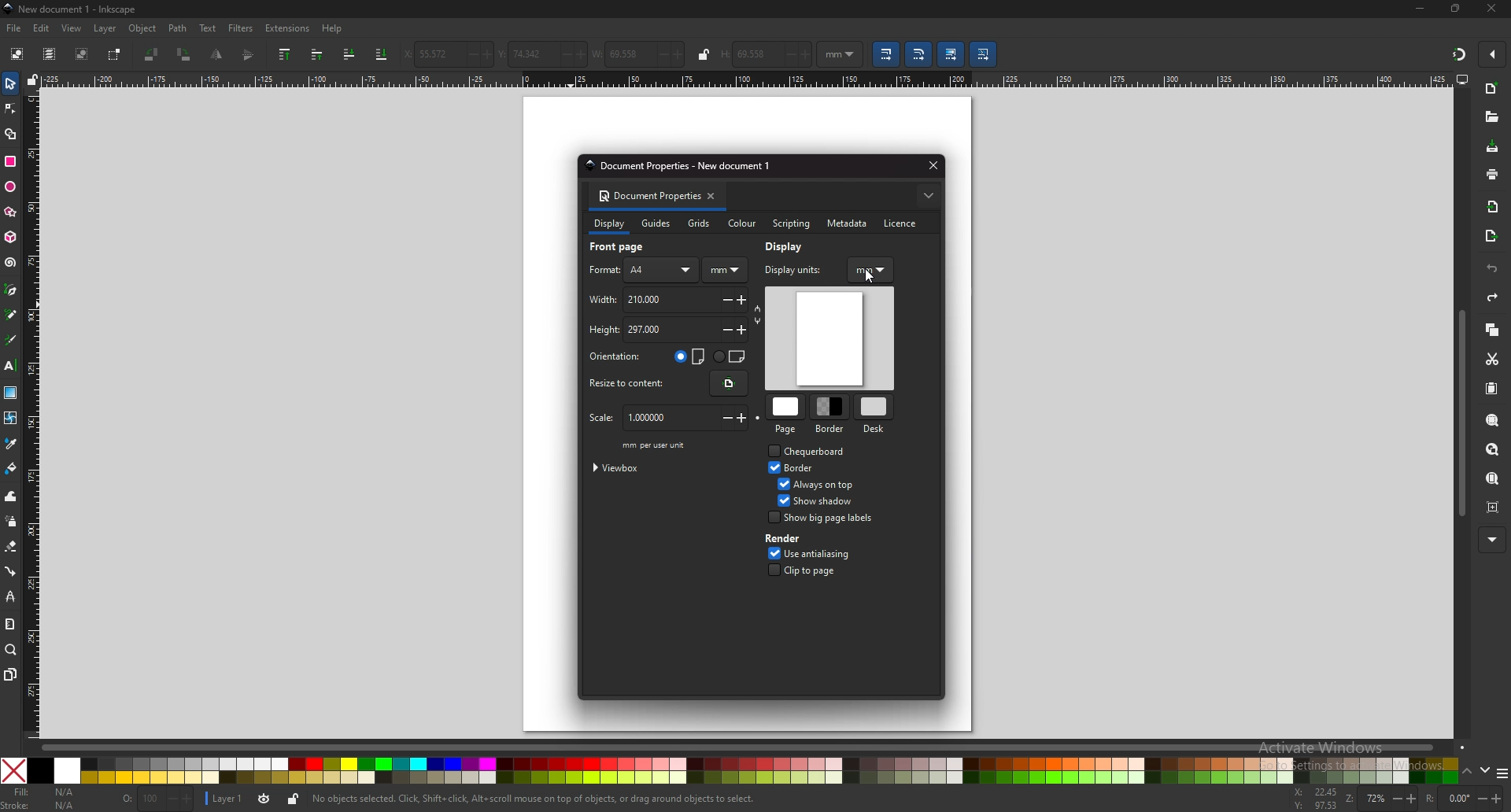 This screenshot has width=1511, height=812. I want to click on flip vertical, so click(247, 56).